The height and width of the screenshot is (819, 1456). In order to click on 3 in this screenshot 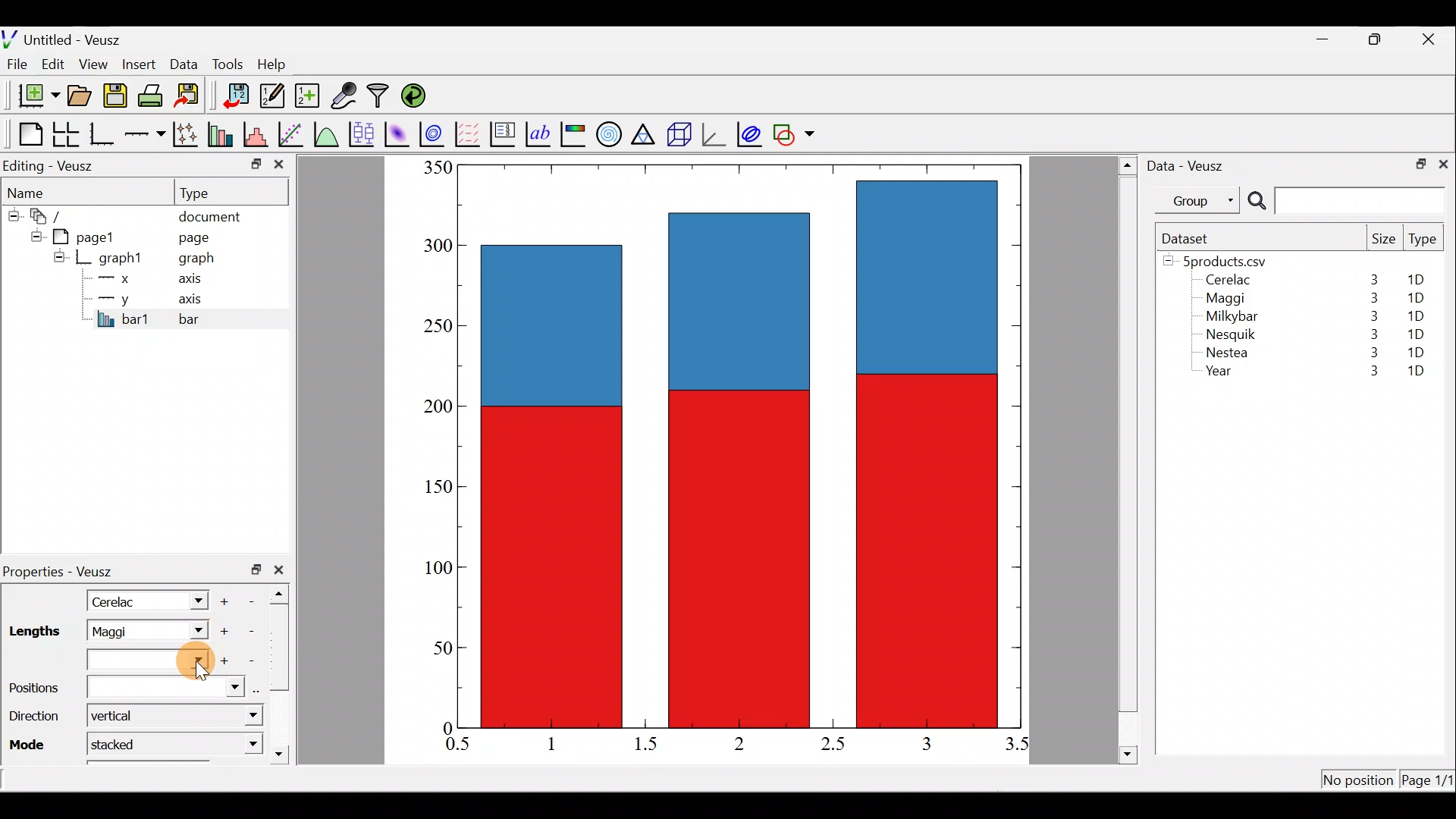, I will do `click(1371, 334)`.